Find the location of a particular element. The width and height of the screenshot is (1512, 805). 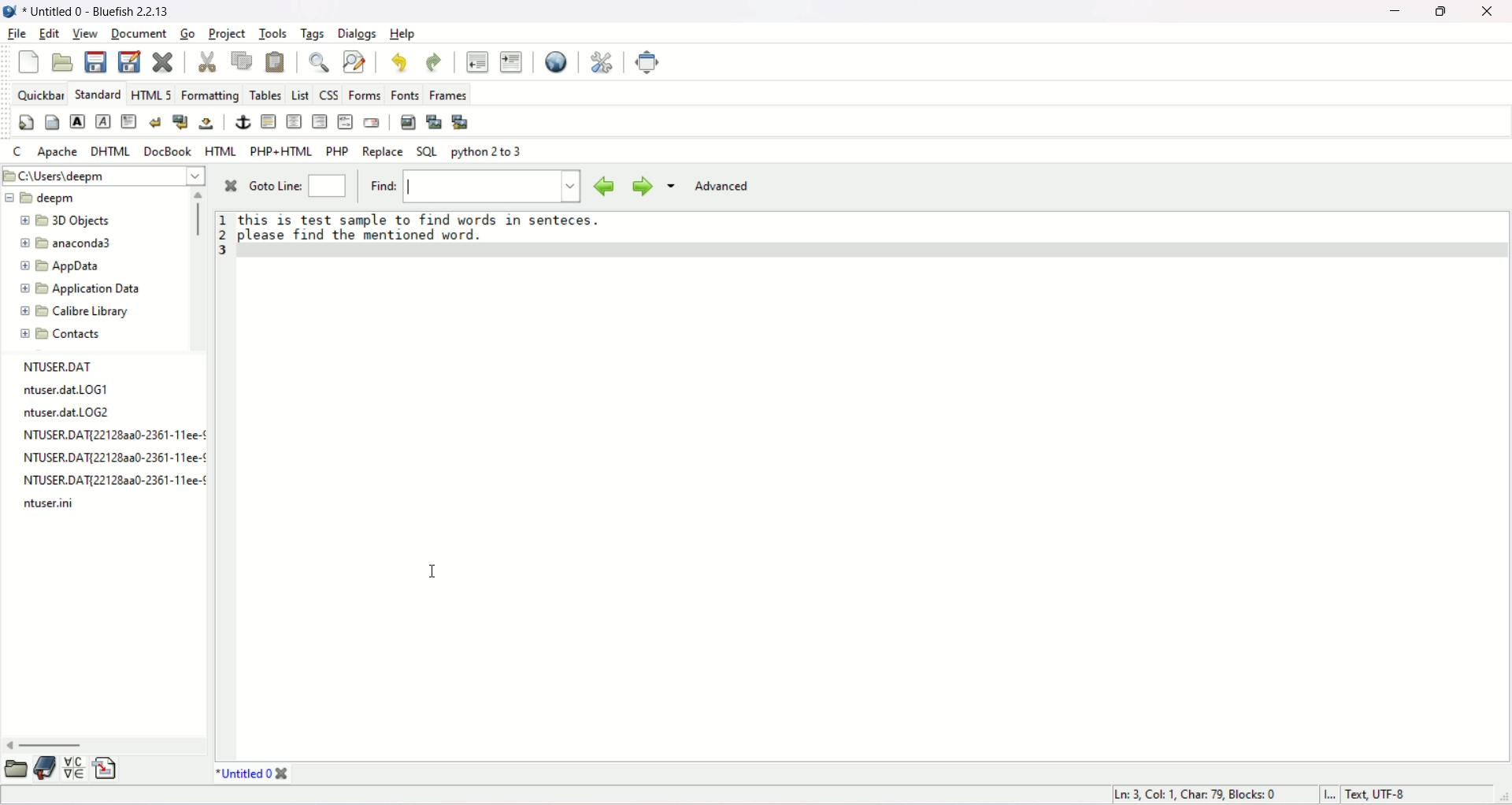

ntuser.dat.LOG2 is located at coordinates (69, 414).